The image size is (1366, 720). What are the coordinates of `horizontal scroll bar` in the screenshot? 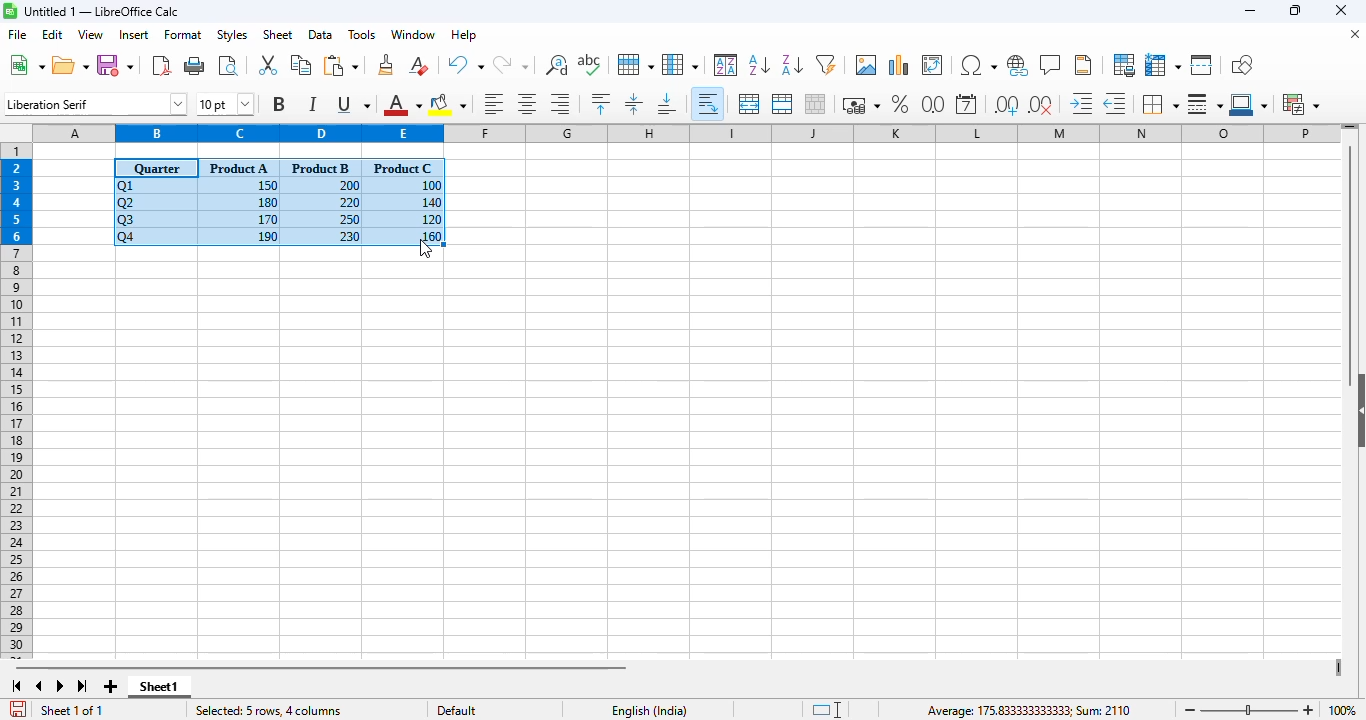 It's located at (320, 667).